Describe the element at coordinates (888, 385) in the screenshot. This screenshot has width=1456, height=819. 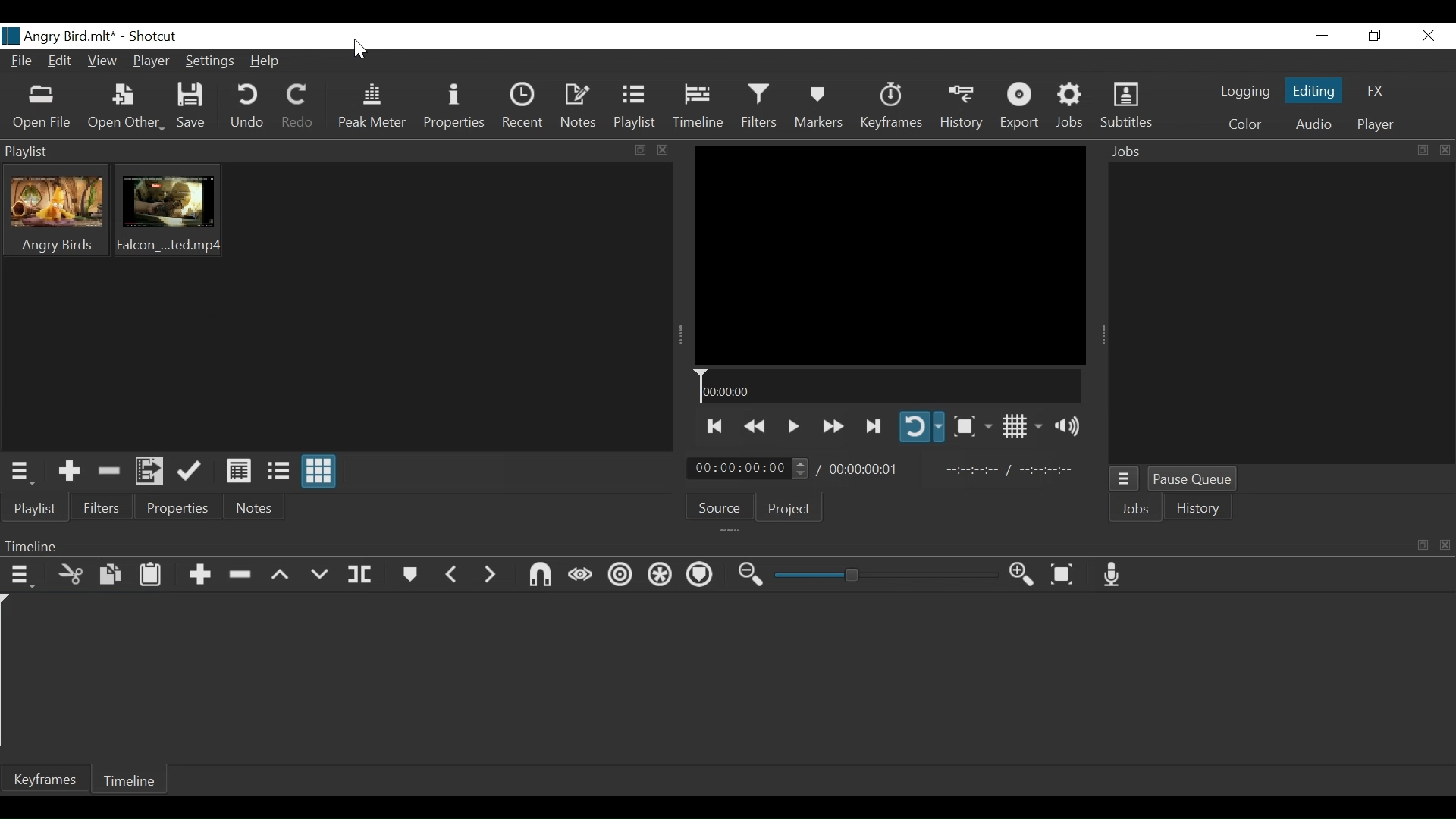
I see `Timeline` at that location.